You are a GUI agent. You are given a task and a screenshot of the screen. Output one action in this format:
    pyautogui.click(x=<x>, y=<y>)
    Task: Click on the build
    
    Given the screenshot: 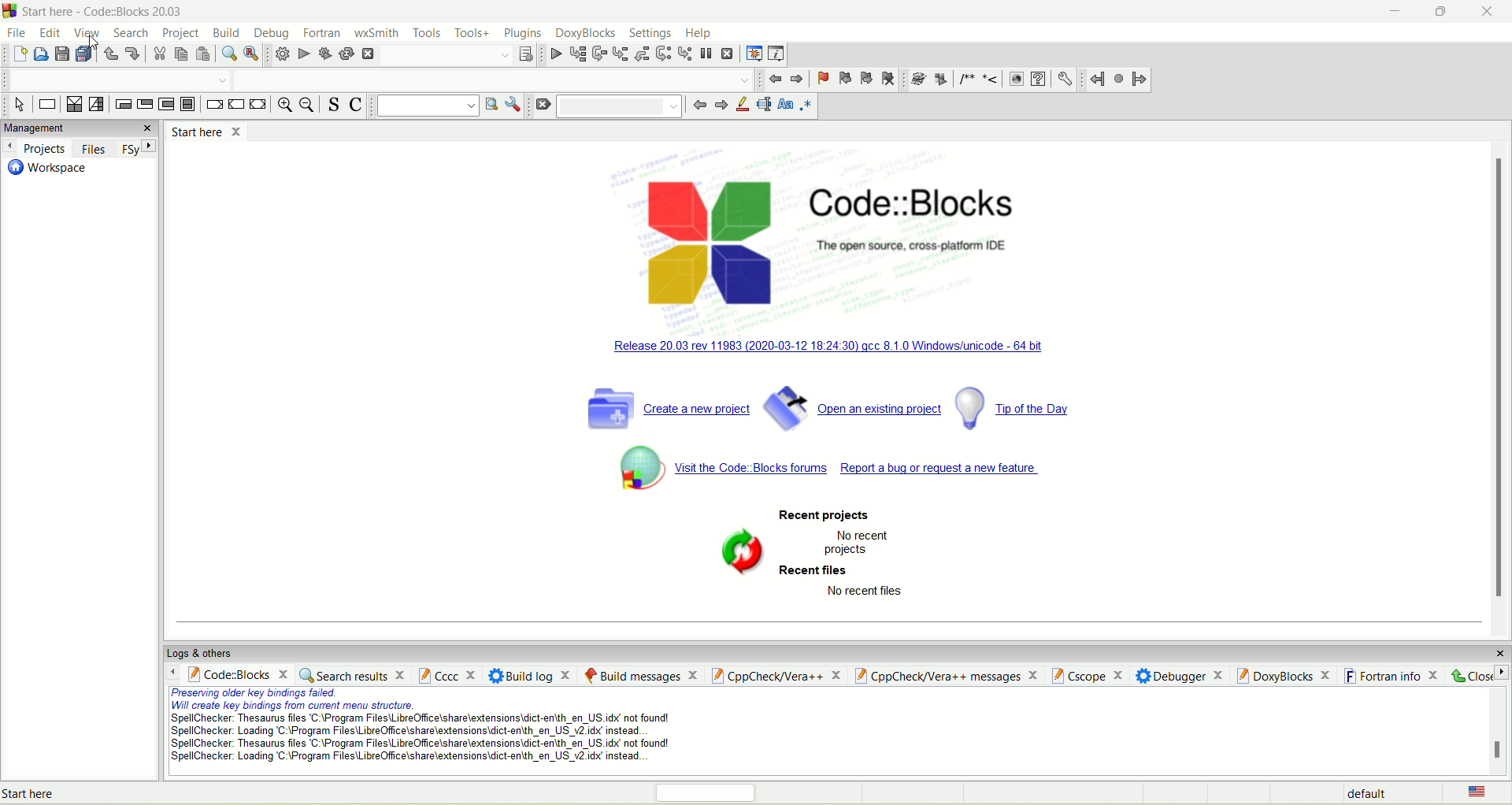 What is the action you would take?
    pyautogui.click(x=226, y=32)
    